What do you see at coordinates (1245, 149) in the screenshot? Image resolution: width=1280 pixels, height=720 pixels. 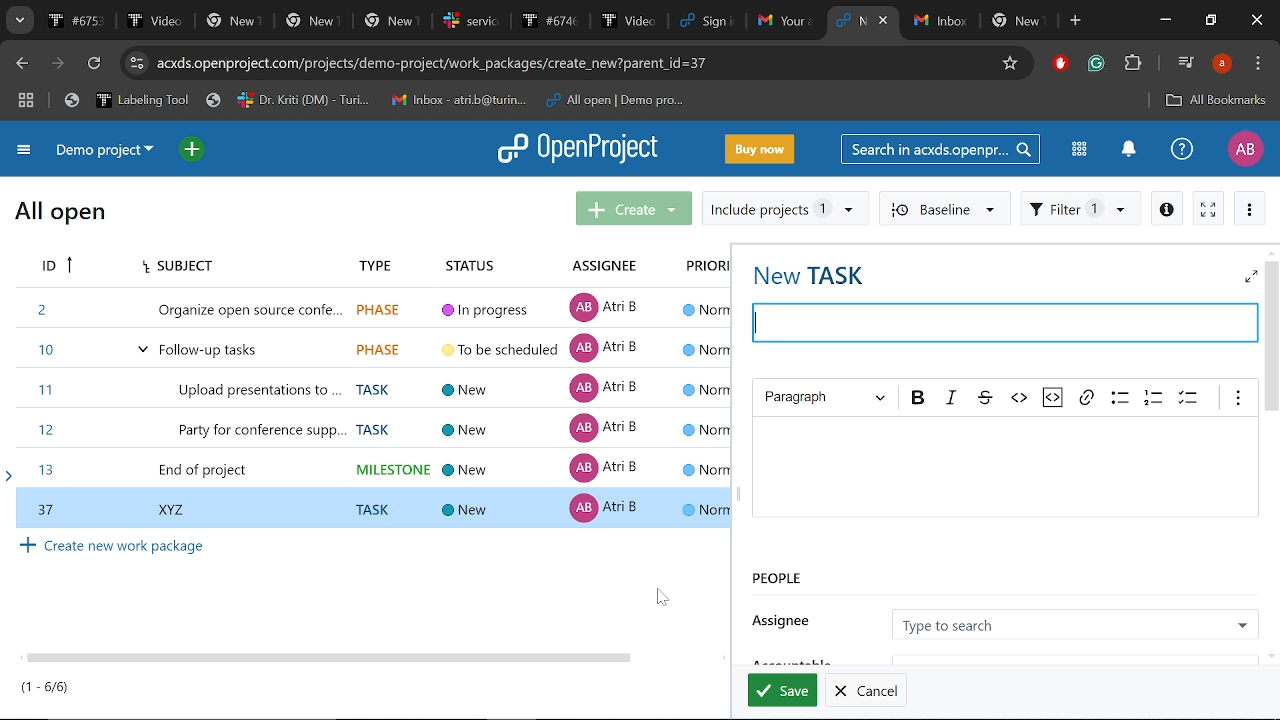 I see `Profile` at bounding box center [1245, 149].